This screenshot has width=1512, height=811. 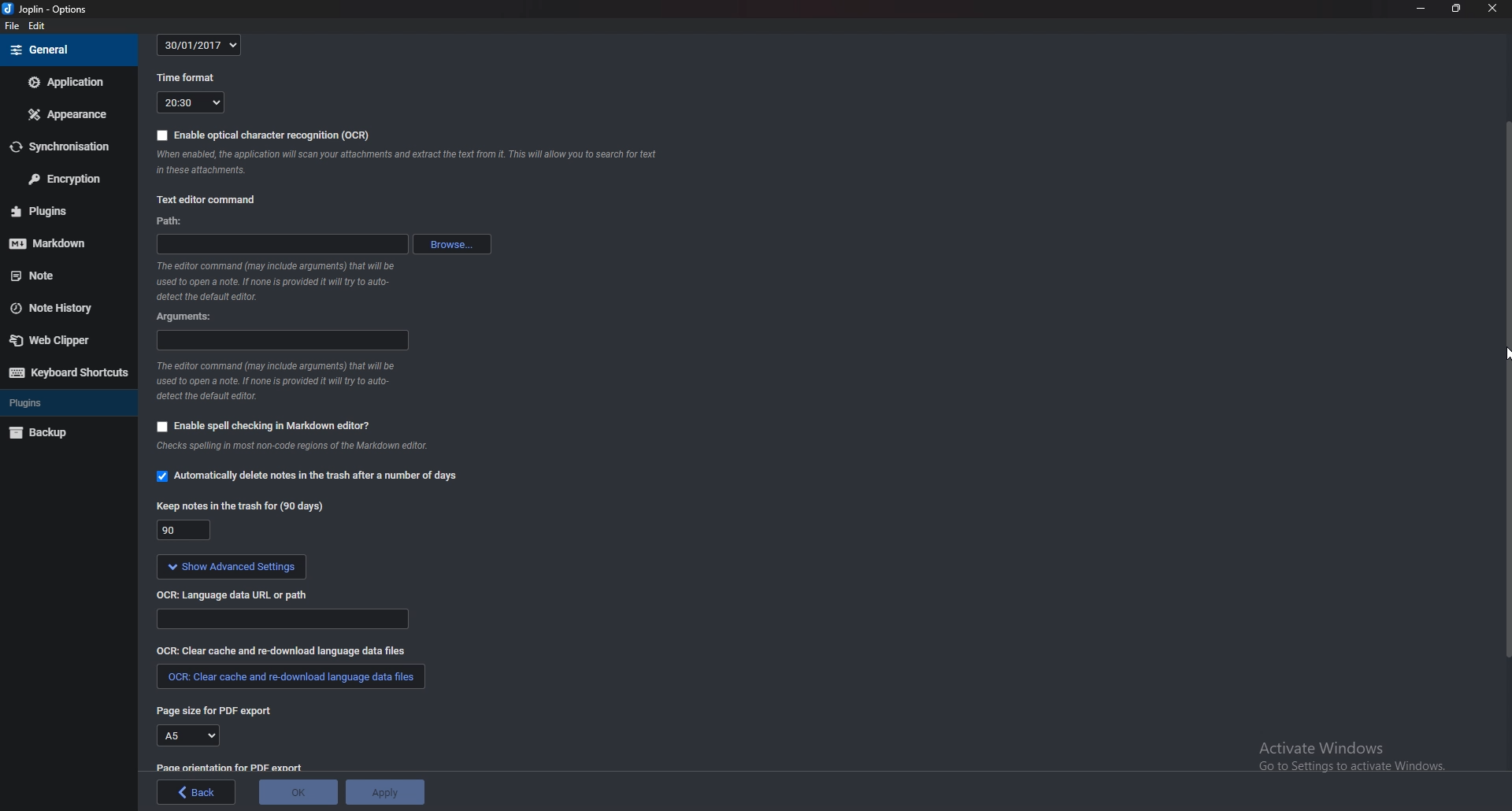 I want to click on Plugins, so click(x=66, y=402).